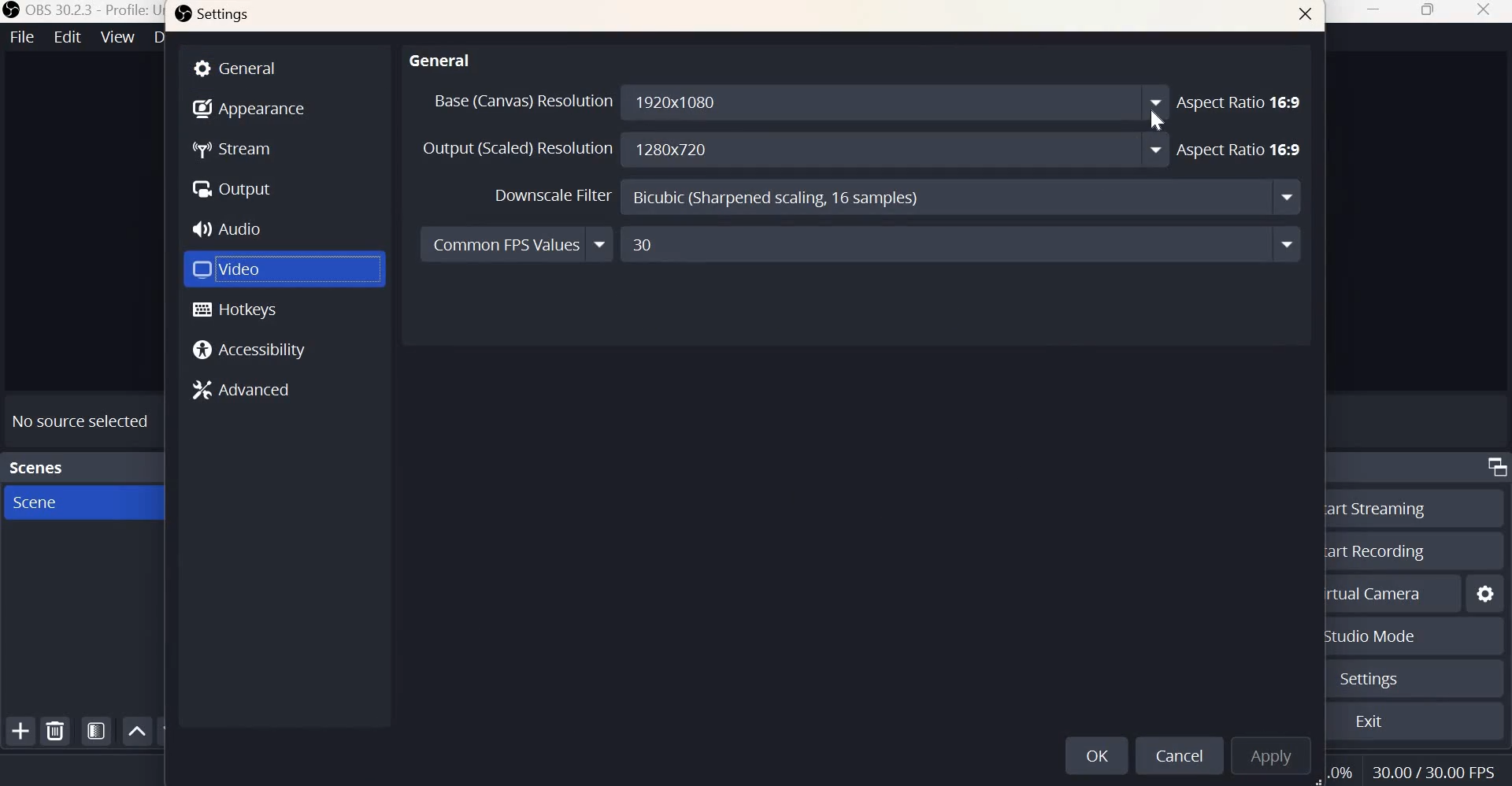  Describe the element at coordinates (1366, 680) in the screenshot. I see `Settings` at that location.